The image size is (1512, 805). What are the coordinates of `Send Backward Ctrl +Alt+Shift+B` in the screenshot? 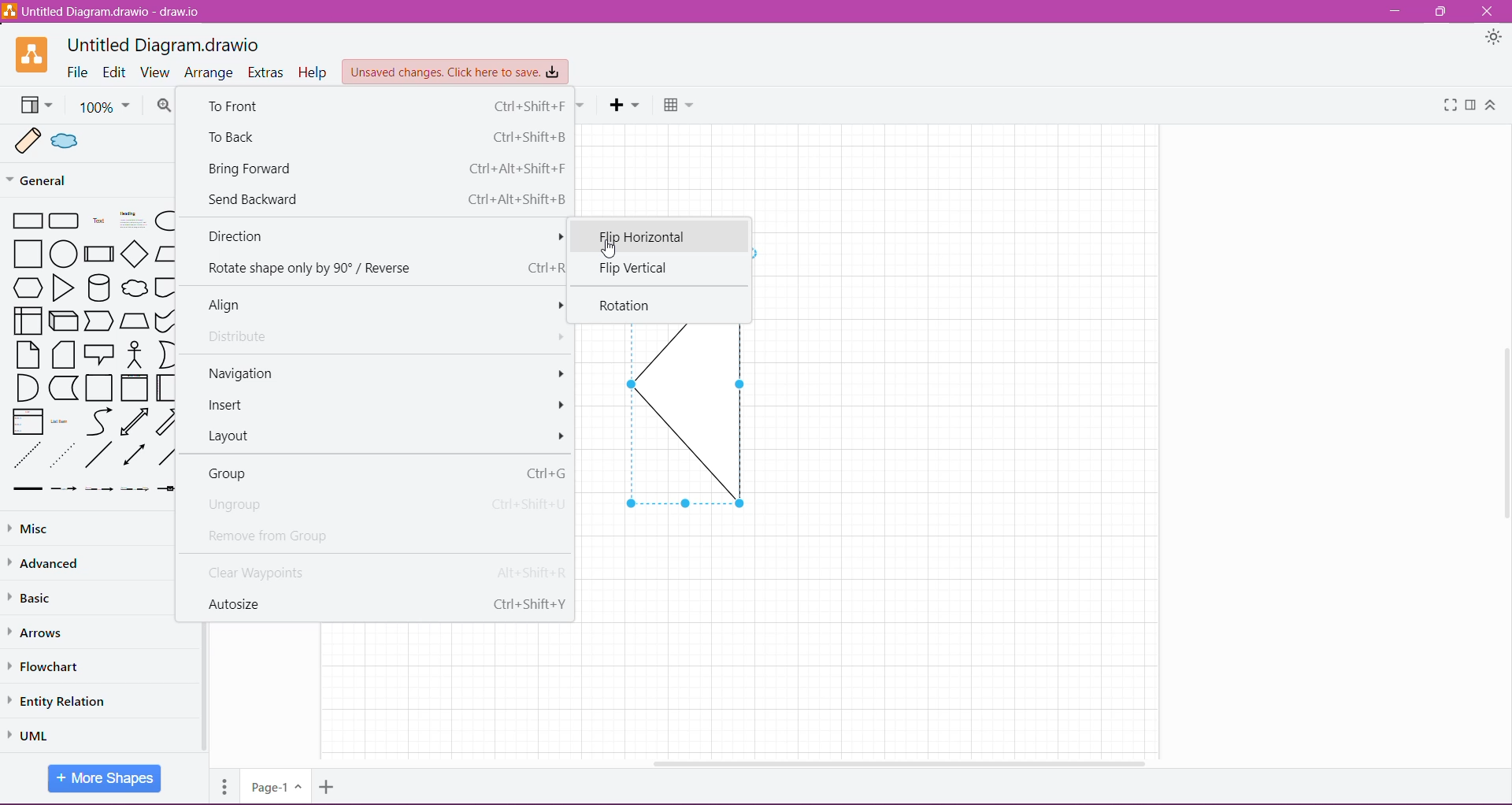 It's located at (388, 202).